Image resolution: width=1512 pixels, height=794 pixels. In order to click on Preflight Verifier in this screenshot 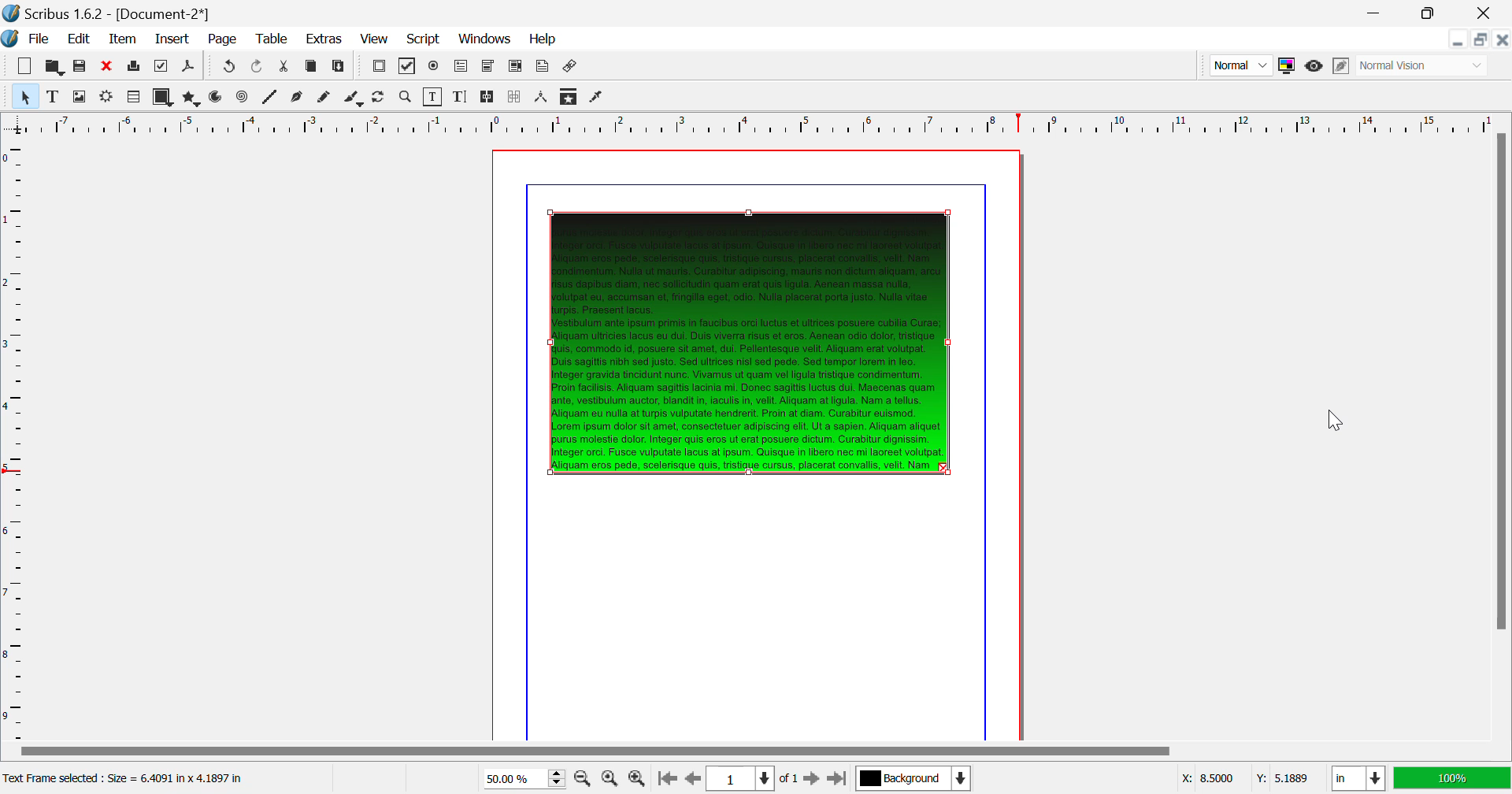, I will do `click(162, 66)`.